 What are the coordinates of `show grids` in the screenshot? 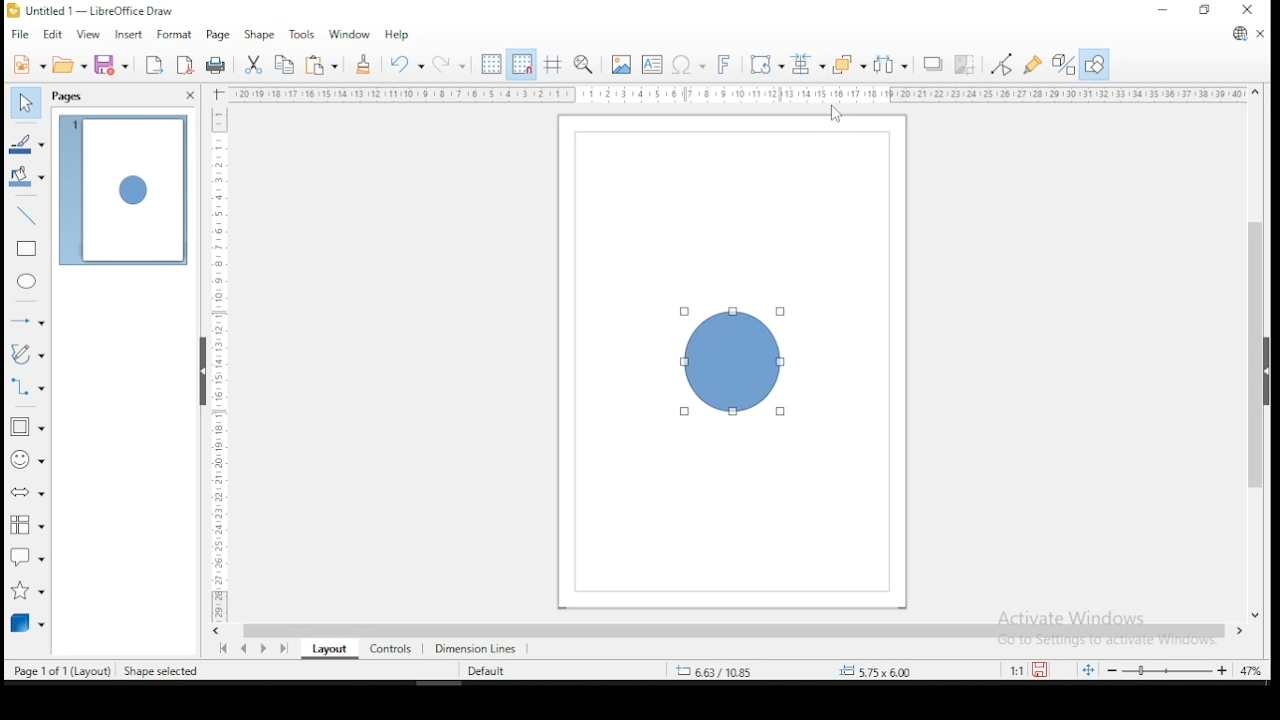 It's located at (489, 66).